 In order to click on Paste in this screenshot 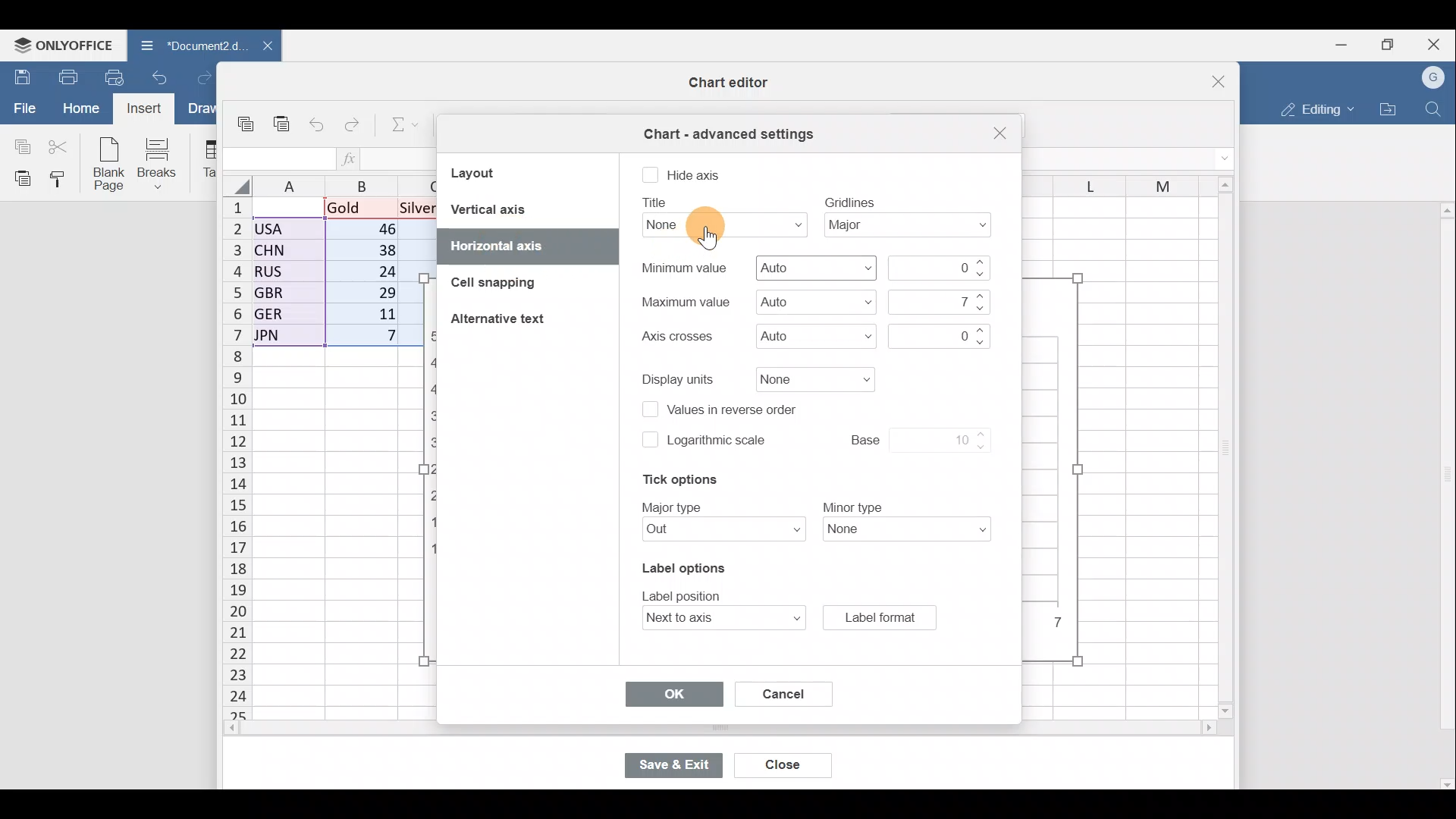, I will do `click(282, 117)`.